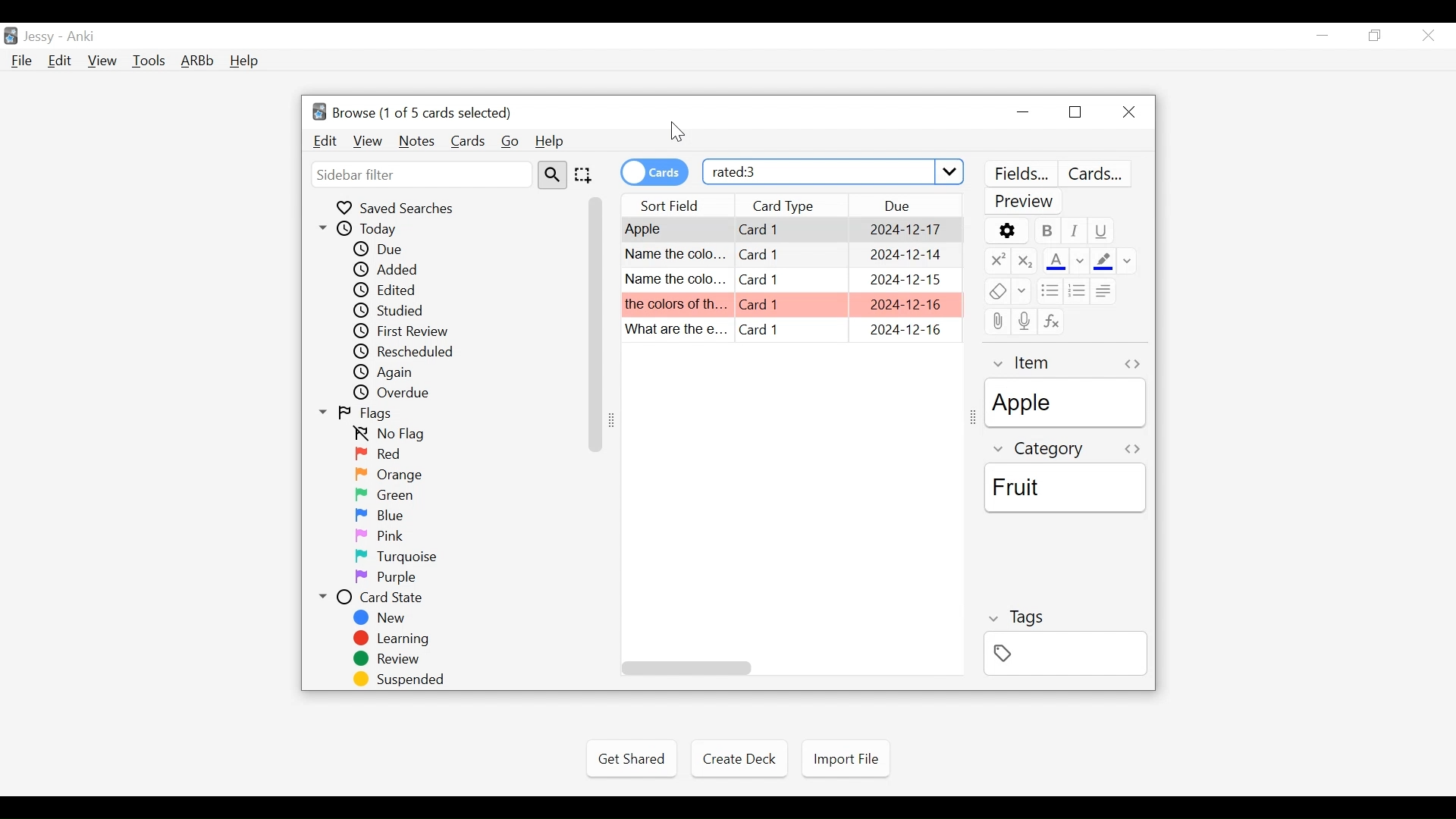 This screenshot has height=819, width=1456. What do you see at coordinates (1075, 231) in the screenshot?
I see `Italics` at bounding box center [1075, 231].